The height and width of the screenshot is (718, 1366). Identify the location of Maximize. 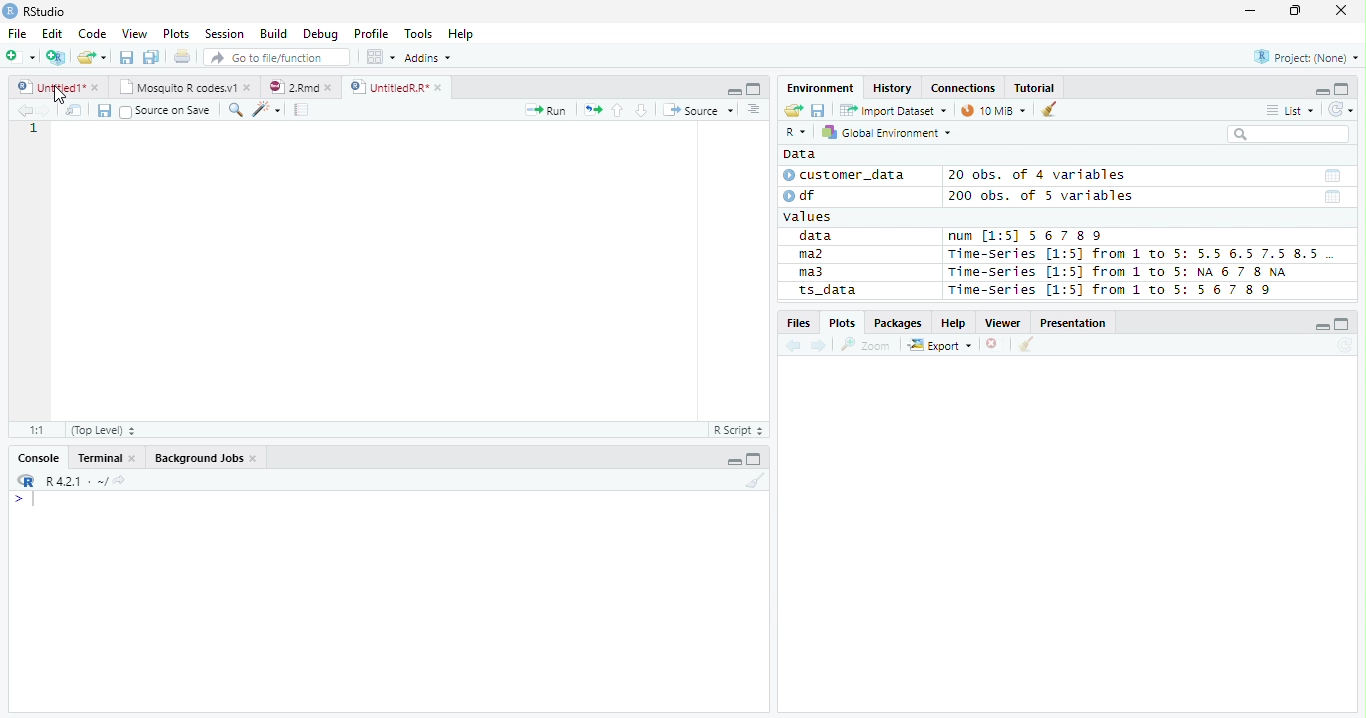
(753, 88).